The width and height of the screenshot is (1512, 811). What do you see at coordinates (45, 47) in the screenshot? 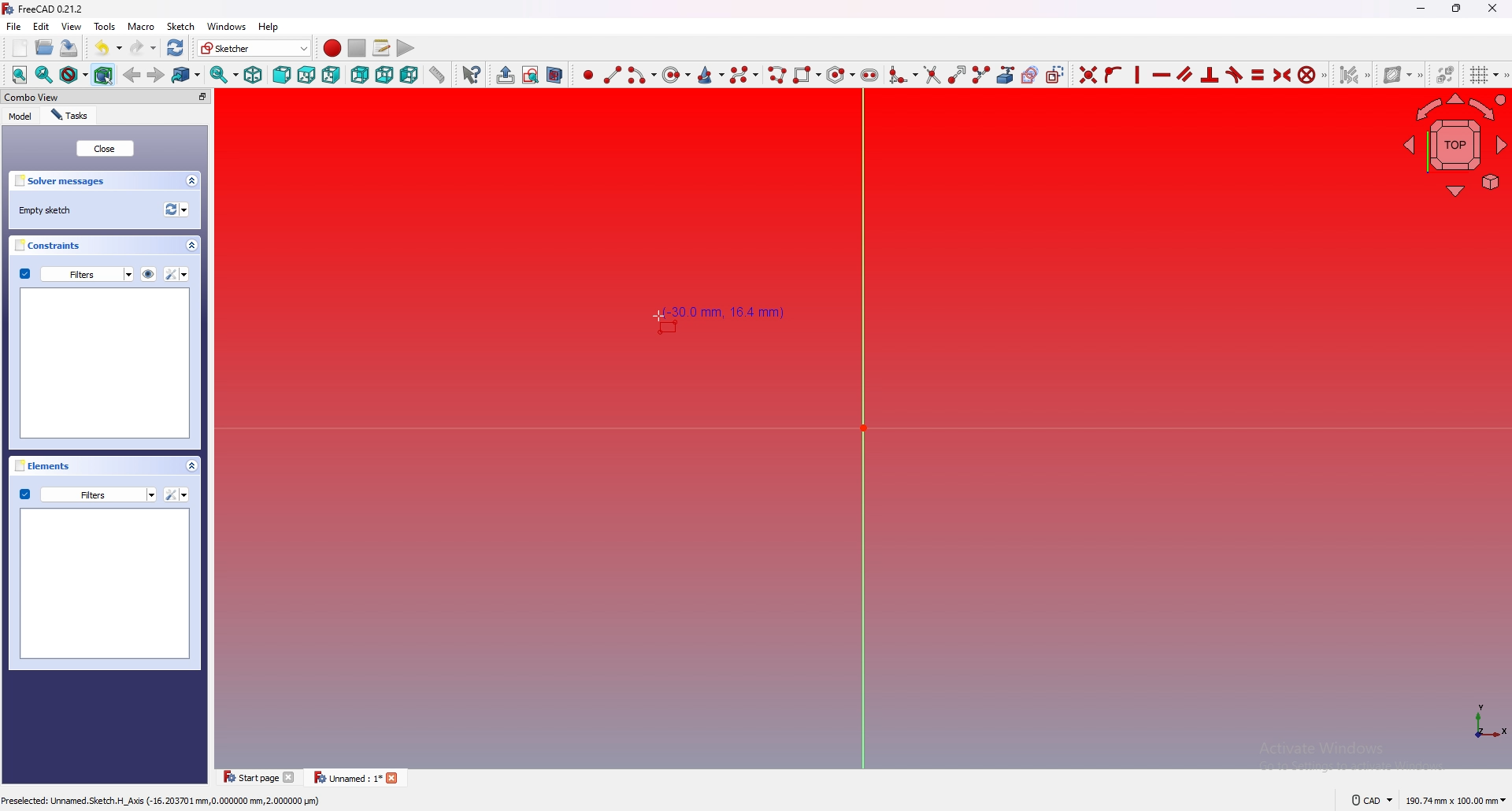
I see `open` at bounding box center [45, 47].